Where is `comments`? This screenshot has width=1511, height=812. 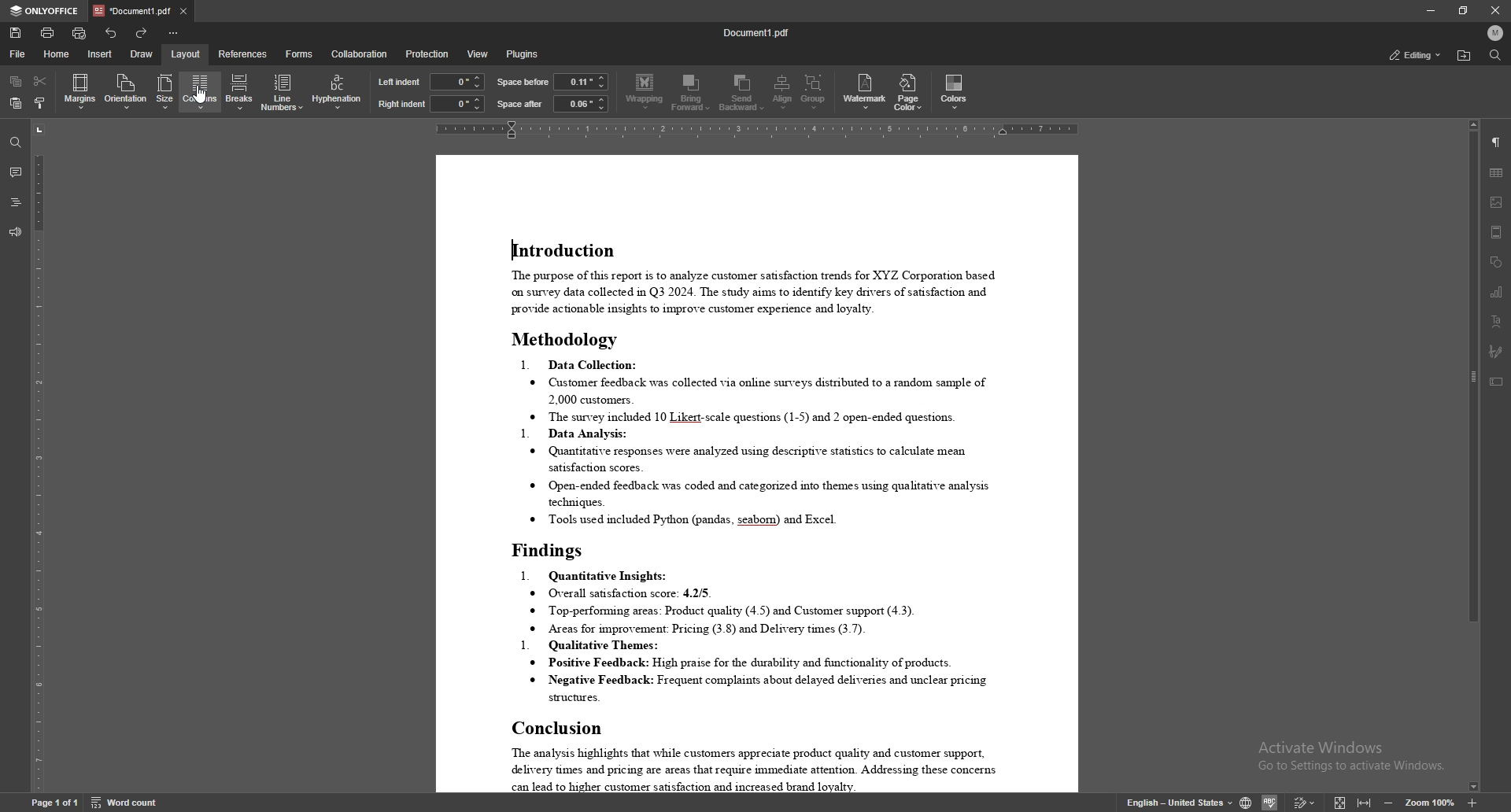
comments is located at coordinates (16, 172).